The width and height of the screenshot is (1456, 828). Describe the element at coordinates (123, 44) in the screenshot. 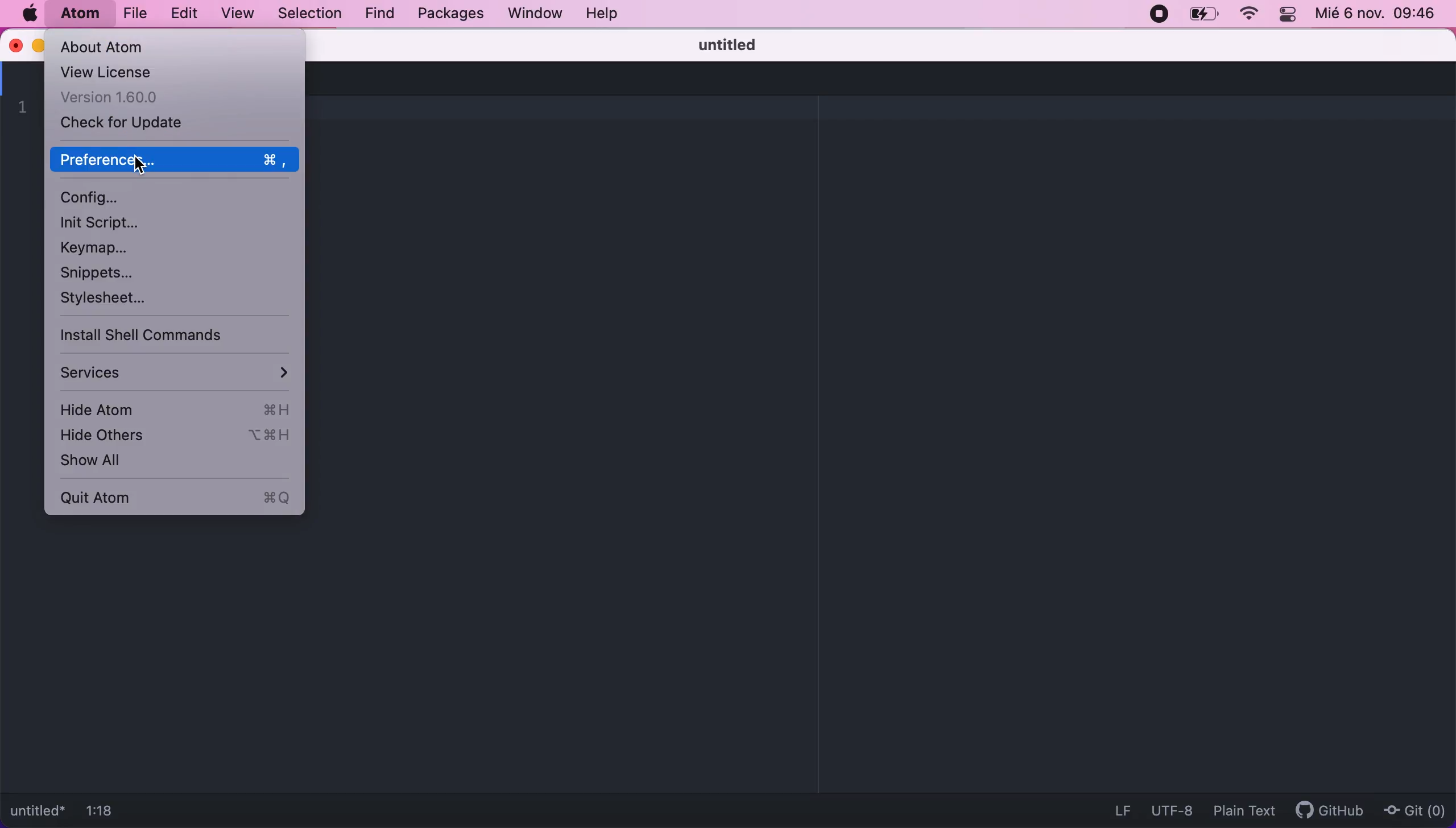

I see `about atom` at that location.